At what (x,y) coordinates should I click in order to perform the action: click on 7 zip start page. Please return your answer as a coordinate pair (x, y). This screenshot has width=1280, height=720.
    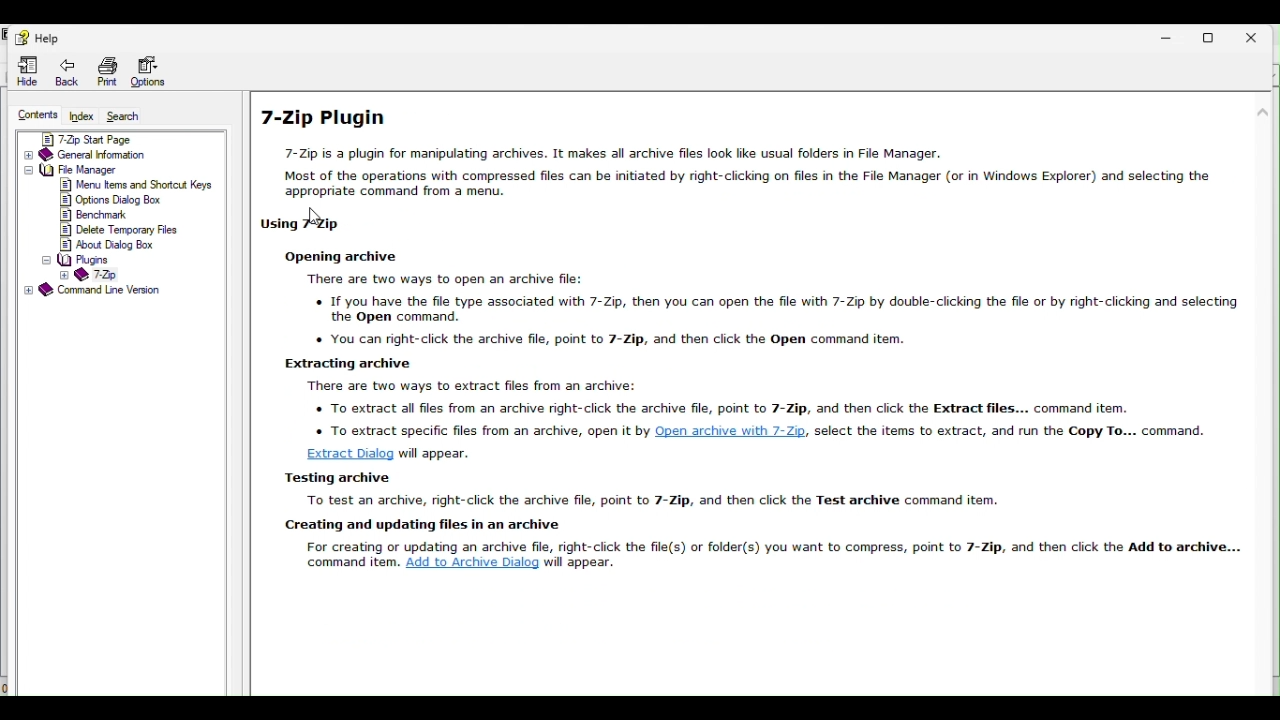
    Looking at the image, I should click on (84, 137).